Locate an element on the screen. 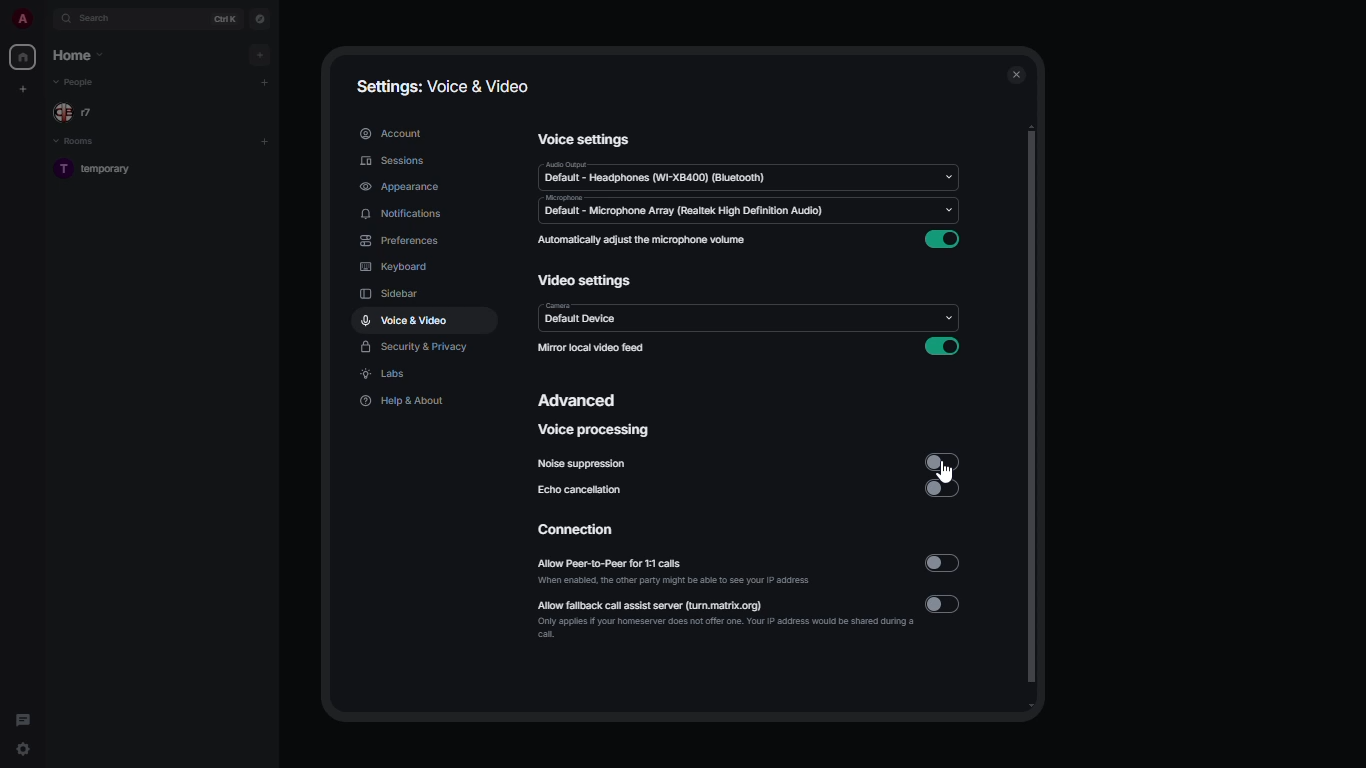 The height and width of the screenshot is (768, 1366). account is located at coordinates (391, 132).